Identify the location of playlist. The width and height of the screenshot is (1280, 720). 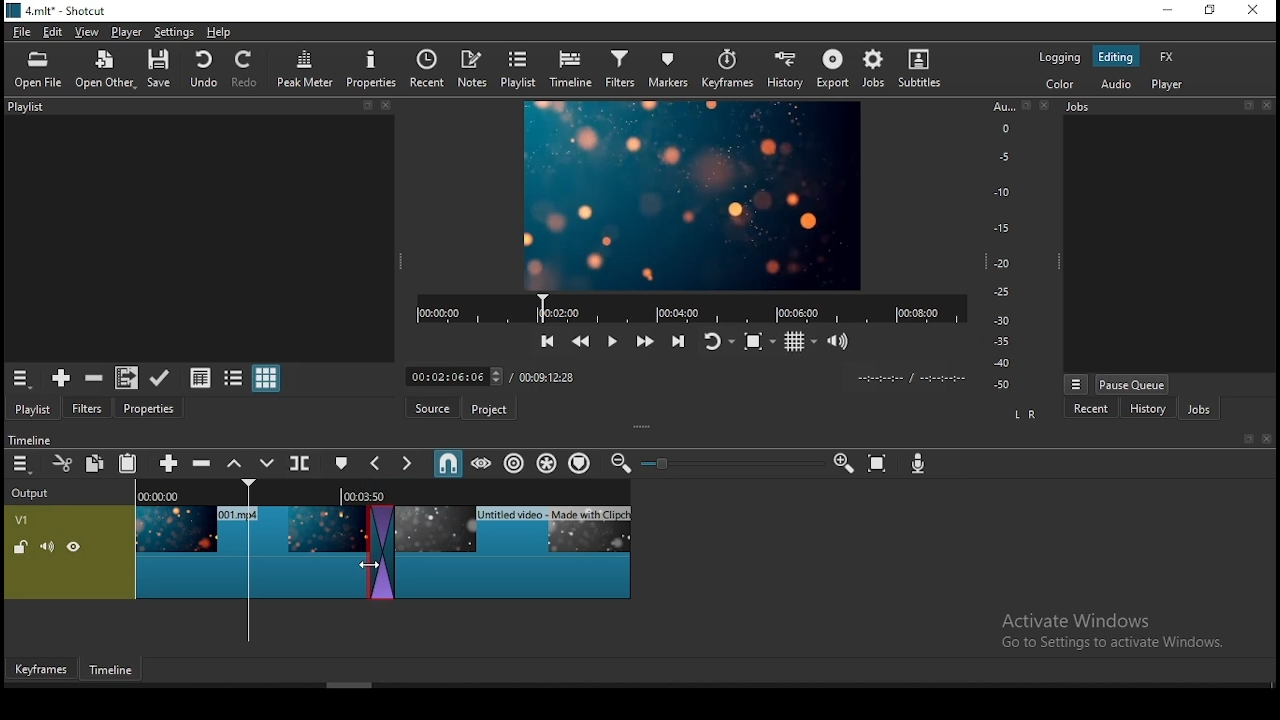
(196, 109).